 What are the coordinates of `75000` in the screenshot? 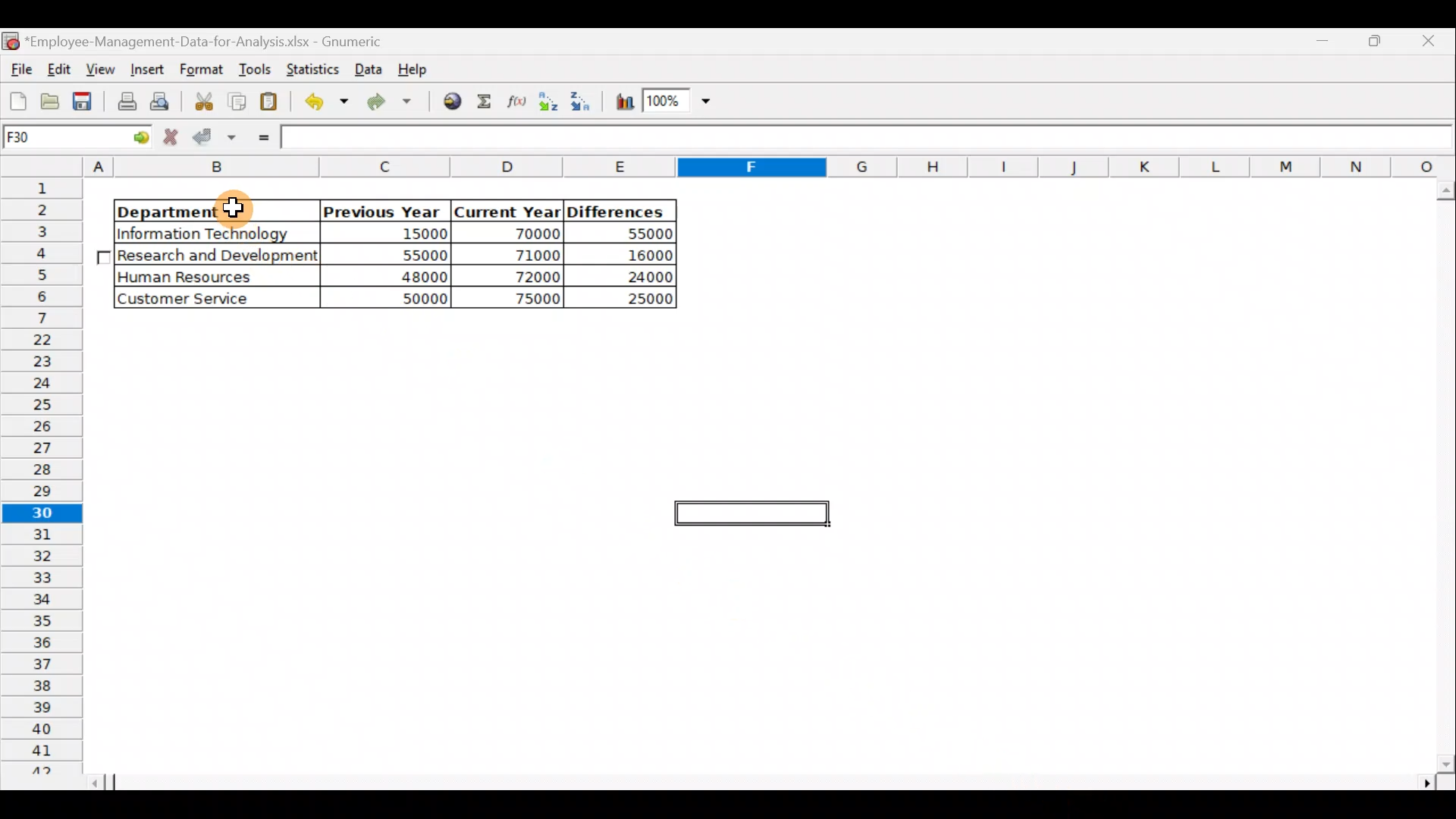 It's located at (517, 300).